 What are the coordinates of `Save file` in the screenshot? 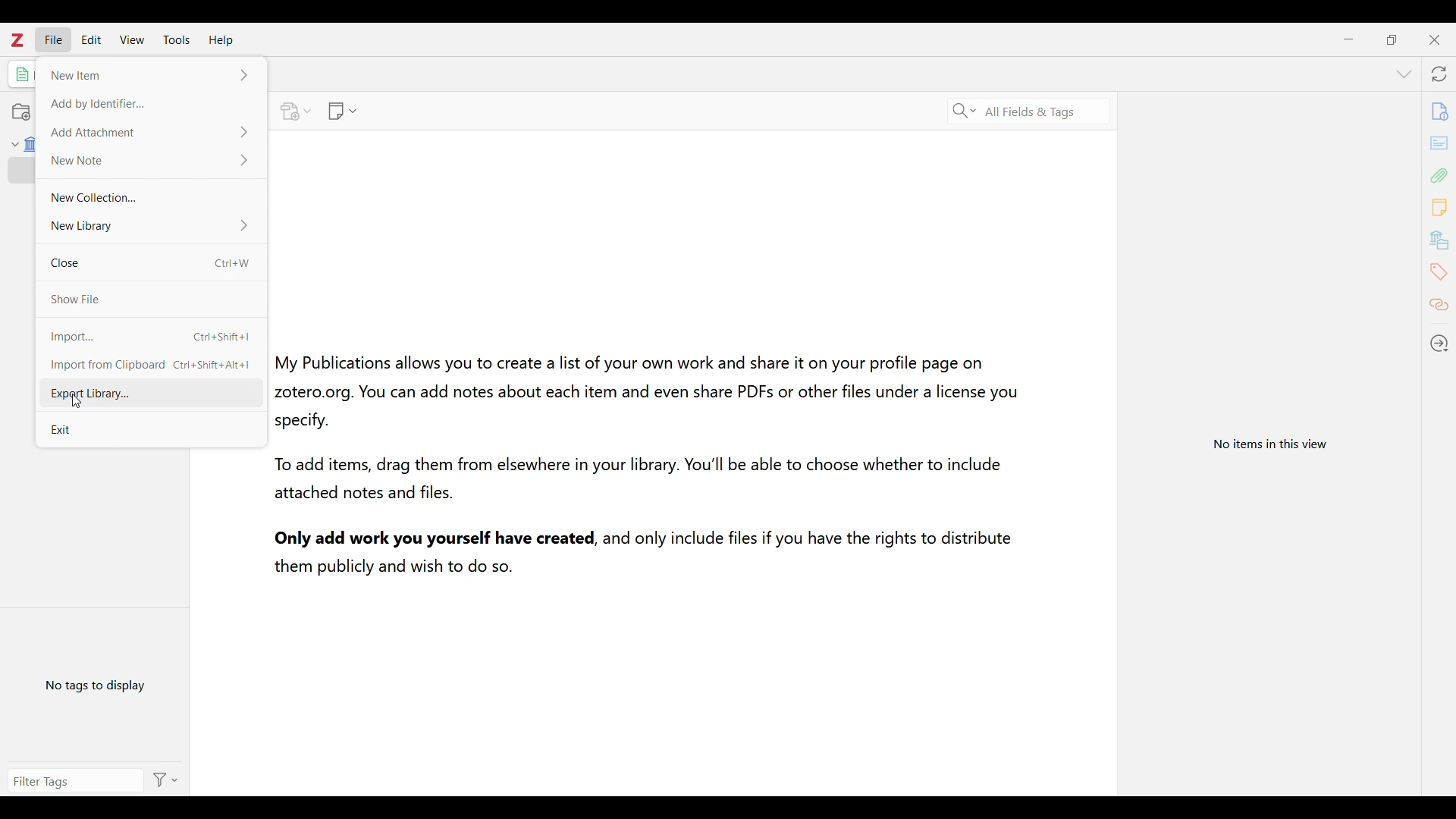 It's located at (150, 296).